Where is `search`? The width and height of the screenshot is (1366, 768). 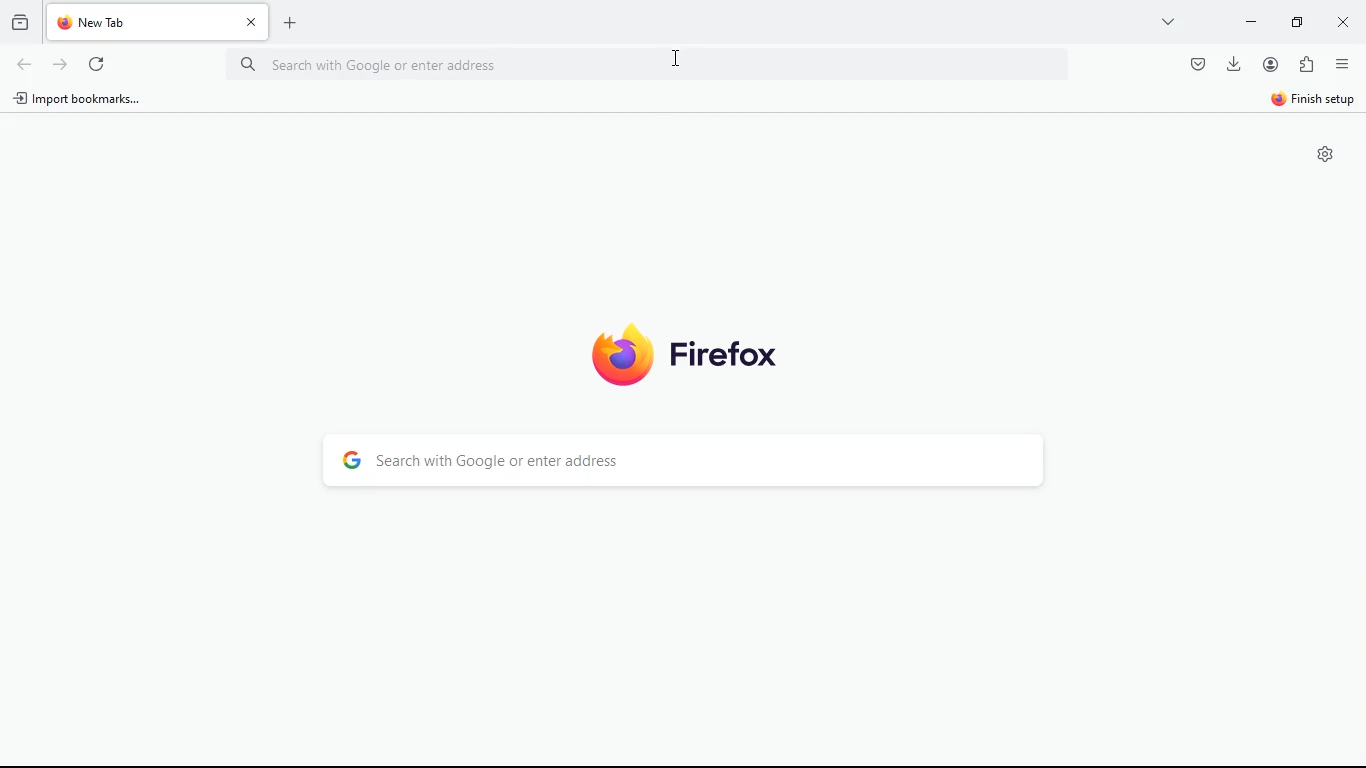
search is located at coordinates (679, 459).